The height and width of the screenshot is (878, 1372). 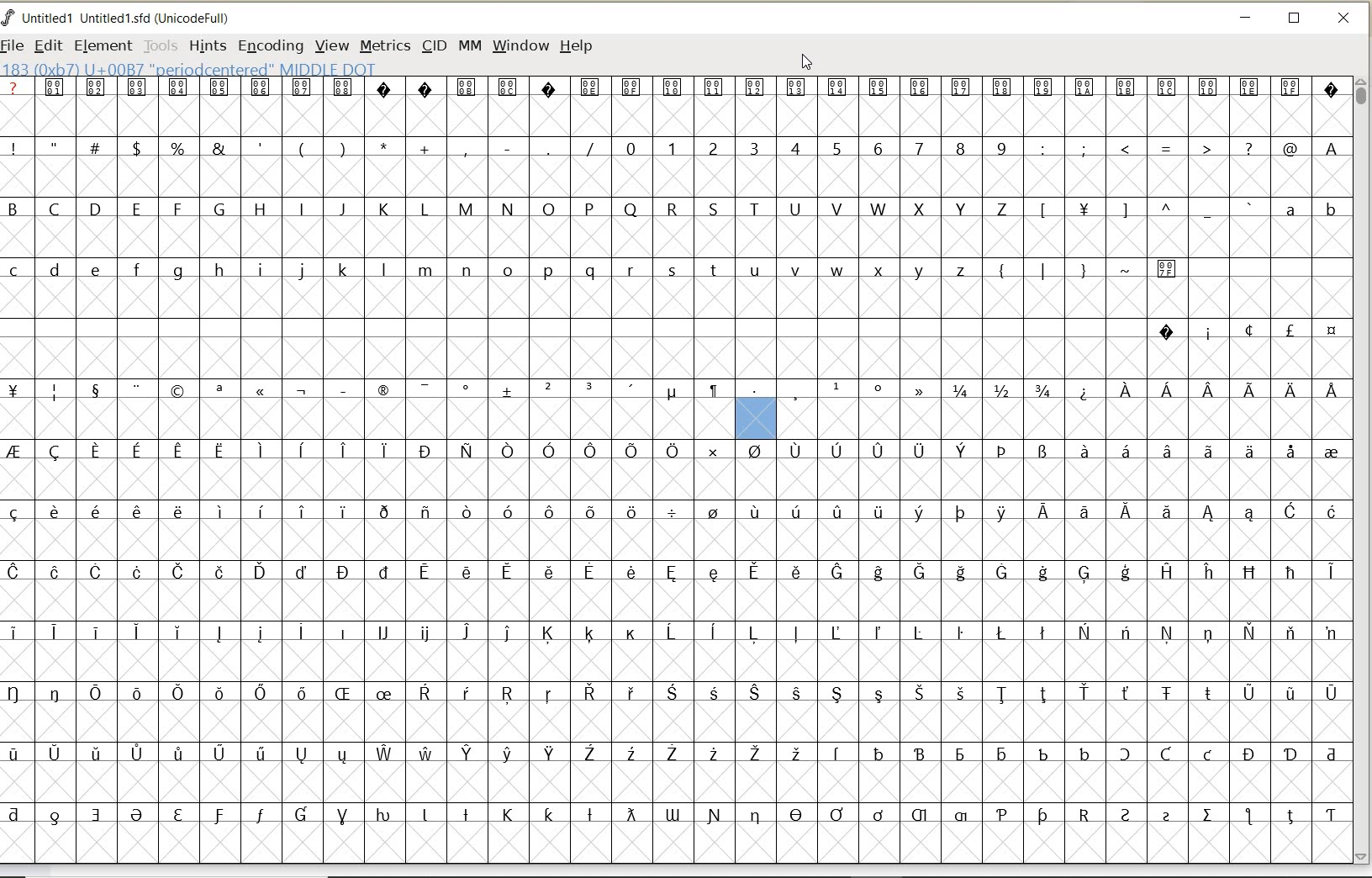 What do you see at coordinates (1108, 276) in the screenshot?
I see `special characters` at bounding box center [1108, 276].